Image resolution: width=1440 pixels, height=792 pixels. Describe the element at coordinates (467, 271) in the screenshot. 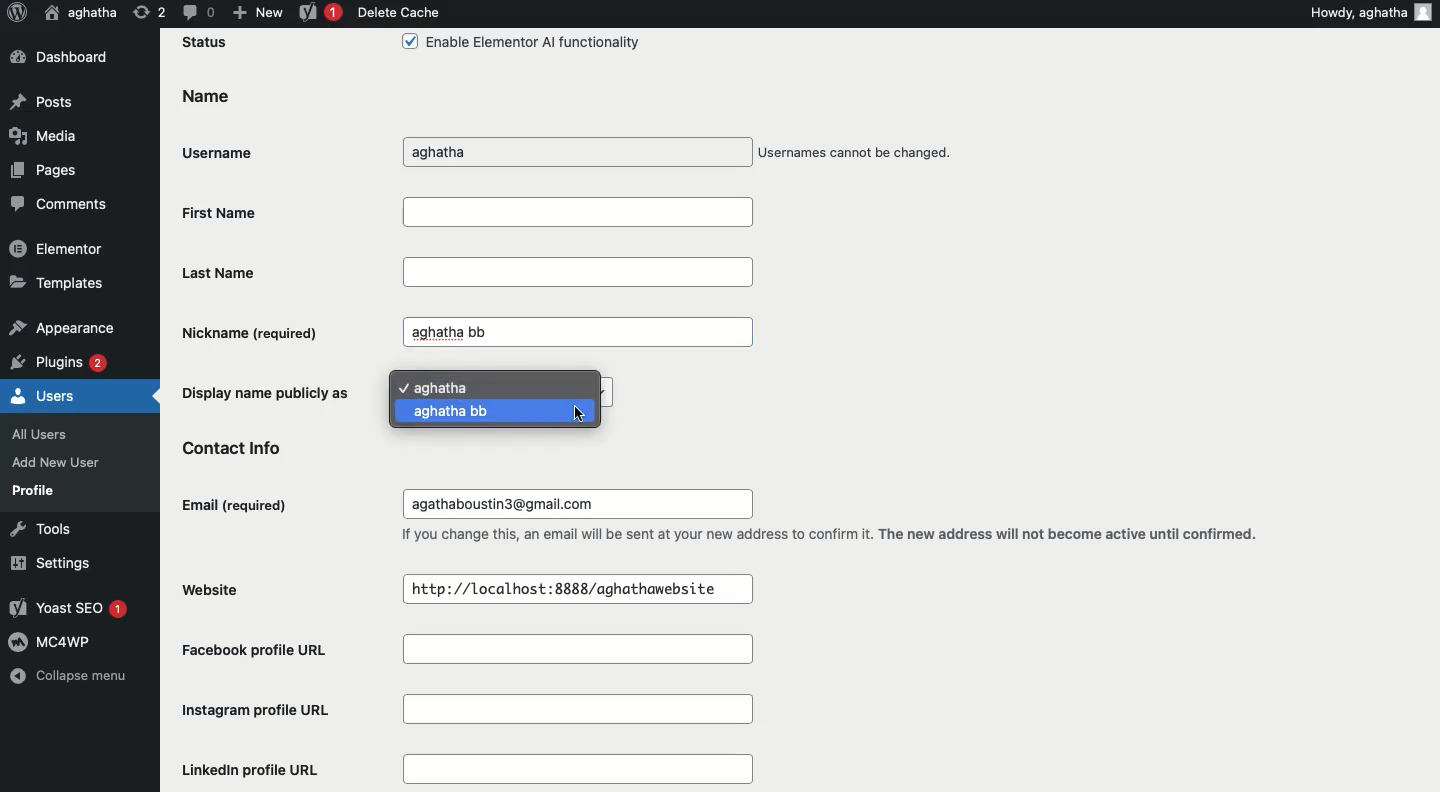

I see `Last Name` at that location.